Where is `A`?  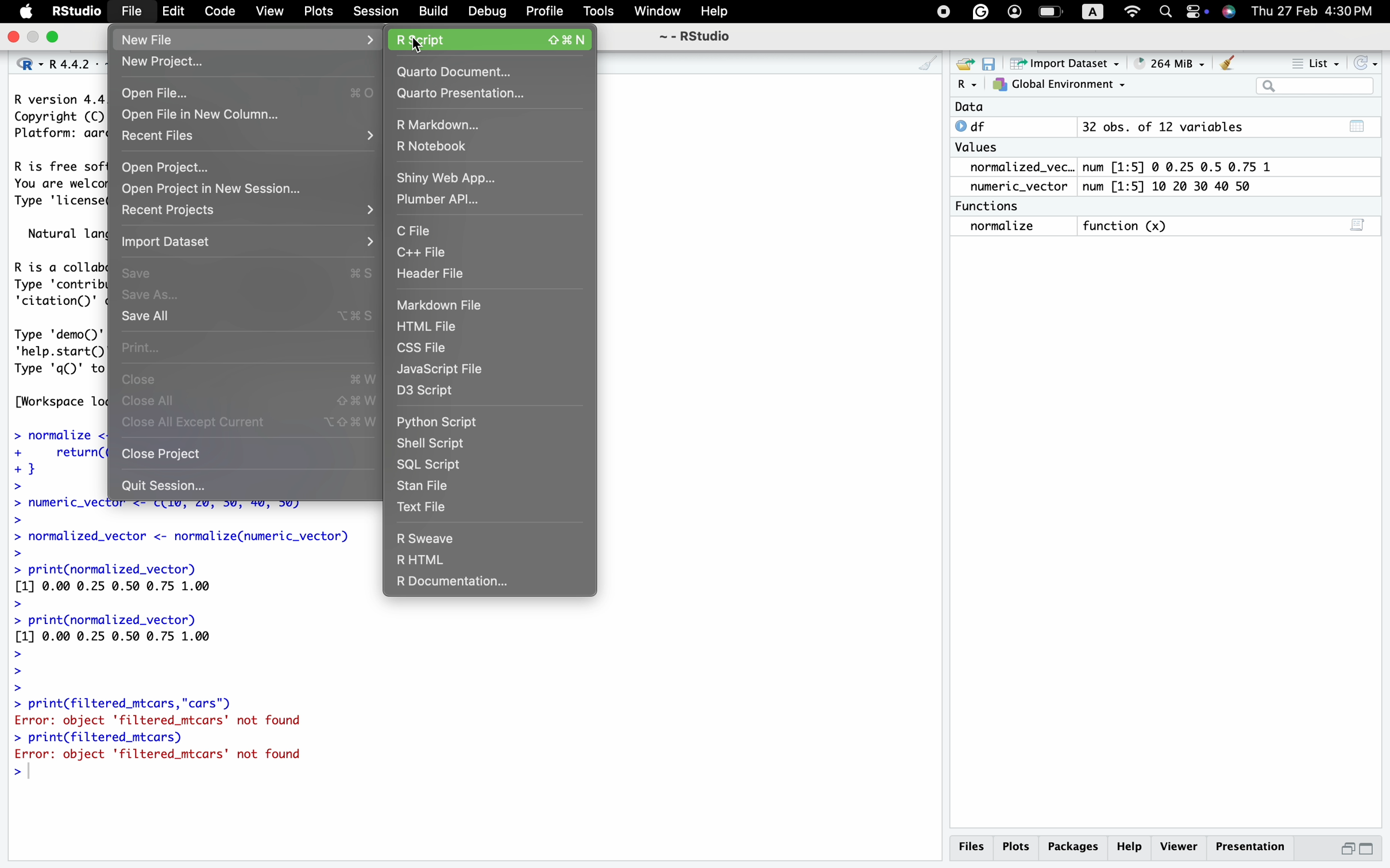
A is located at coordinates (1093, 12).